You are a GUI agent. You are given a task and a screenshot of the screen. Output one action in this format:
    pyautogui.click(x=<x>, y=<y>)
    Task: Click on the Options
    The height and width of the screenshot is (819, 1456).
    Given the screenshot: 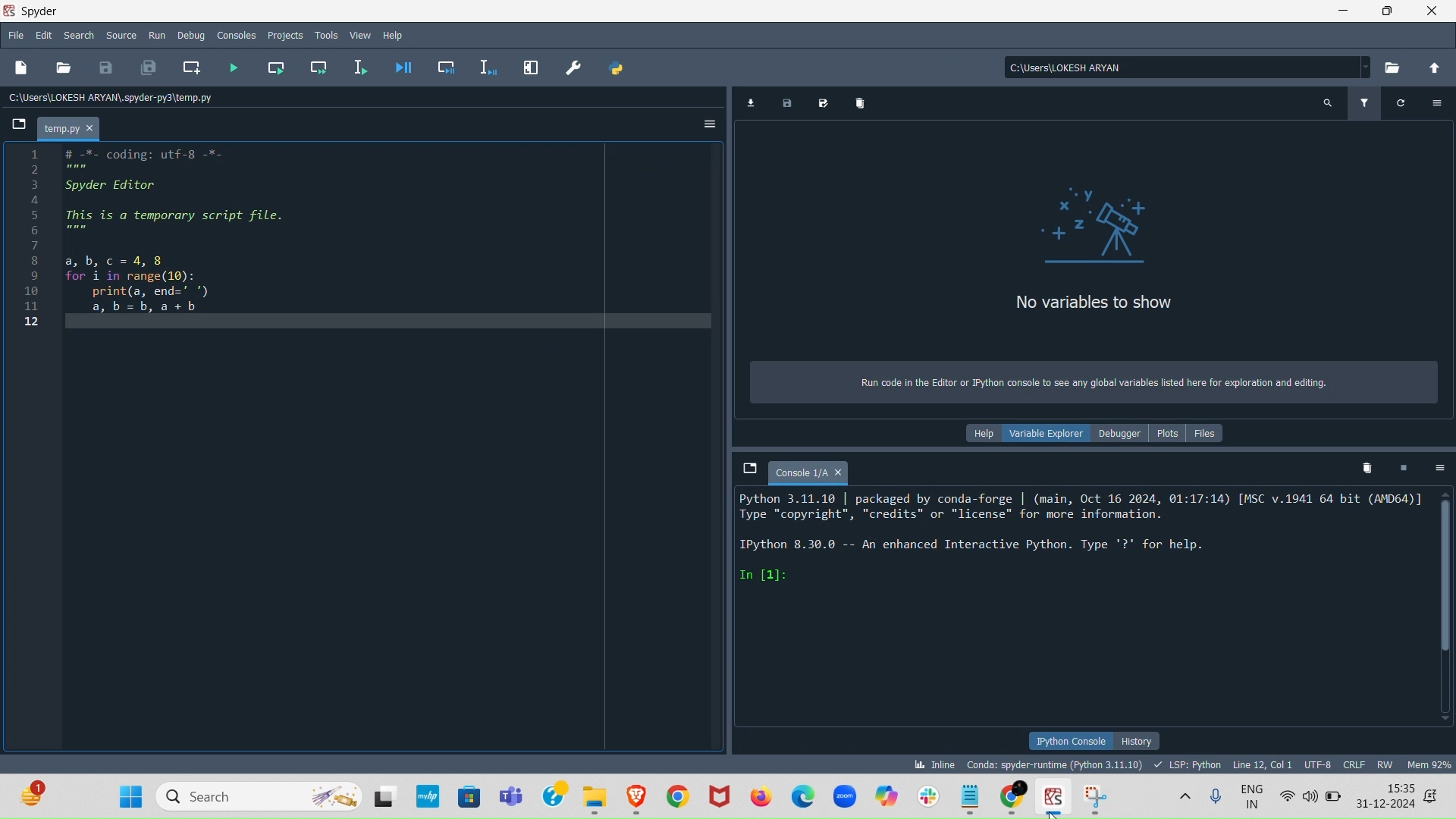 What is the action you would take?
    pyautogui.click(x=1437, y=101)
    